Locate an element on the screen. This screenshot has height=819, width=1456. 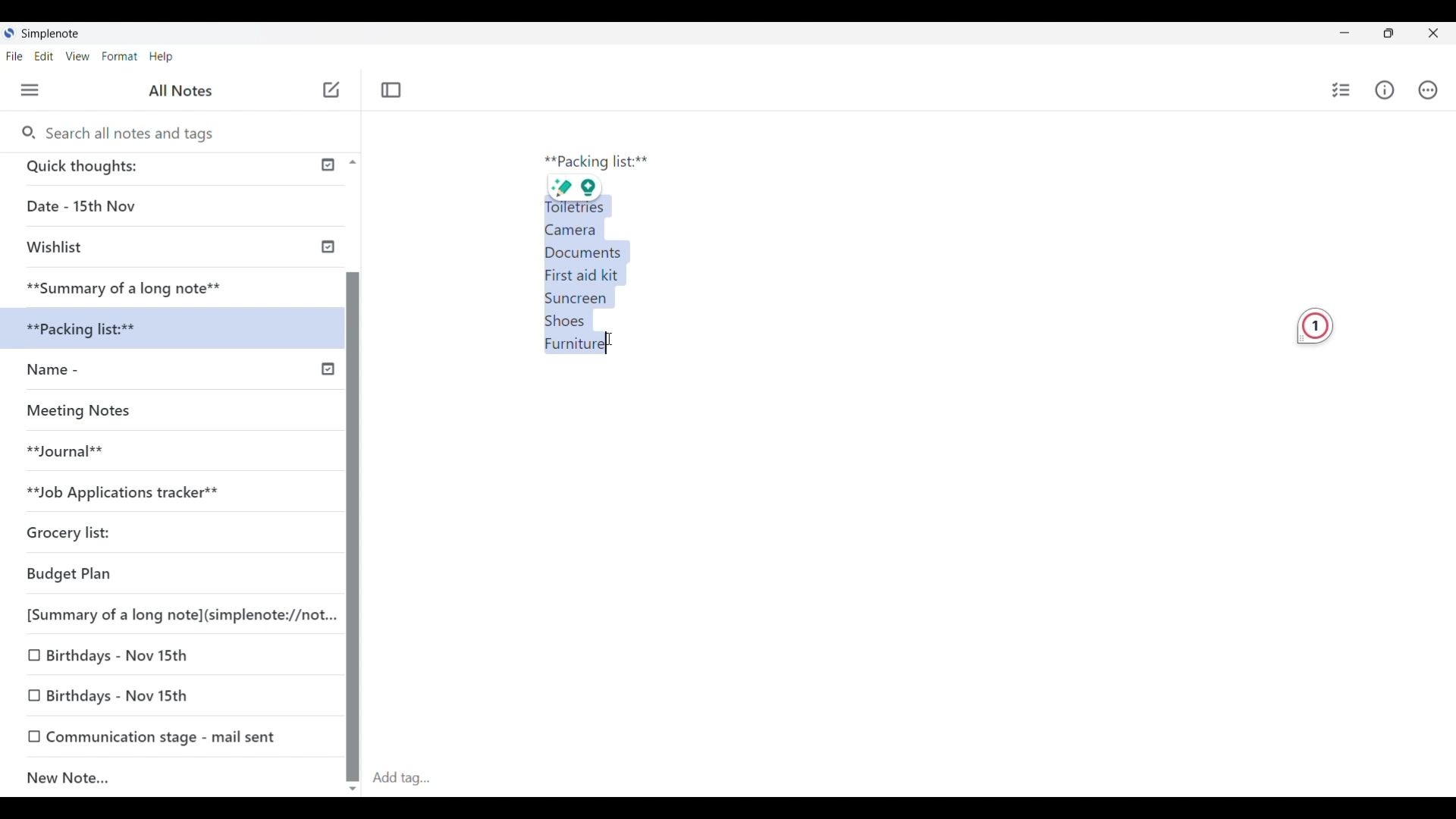
Quick slide to bottom is located at coordinates (353, 789).